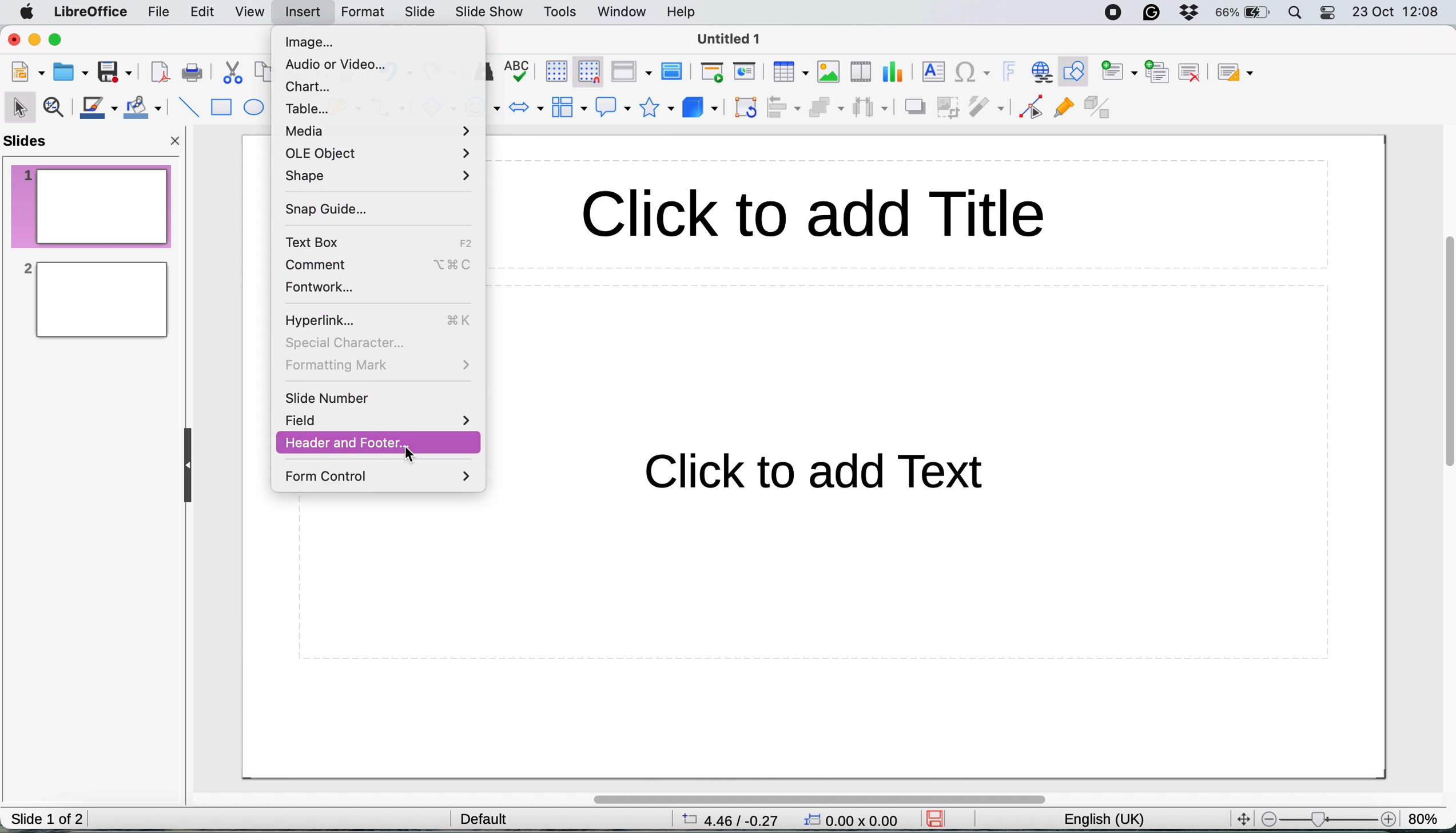 The width and height of the screenshot is (1456, 833). I want to click on slide number, so click(329, 399).